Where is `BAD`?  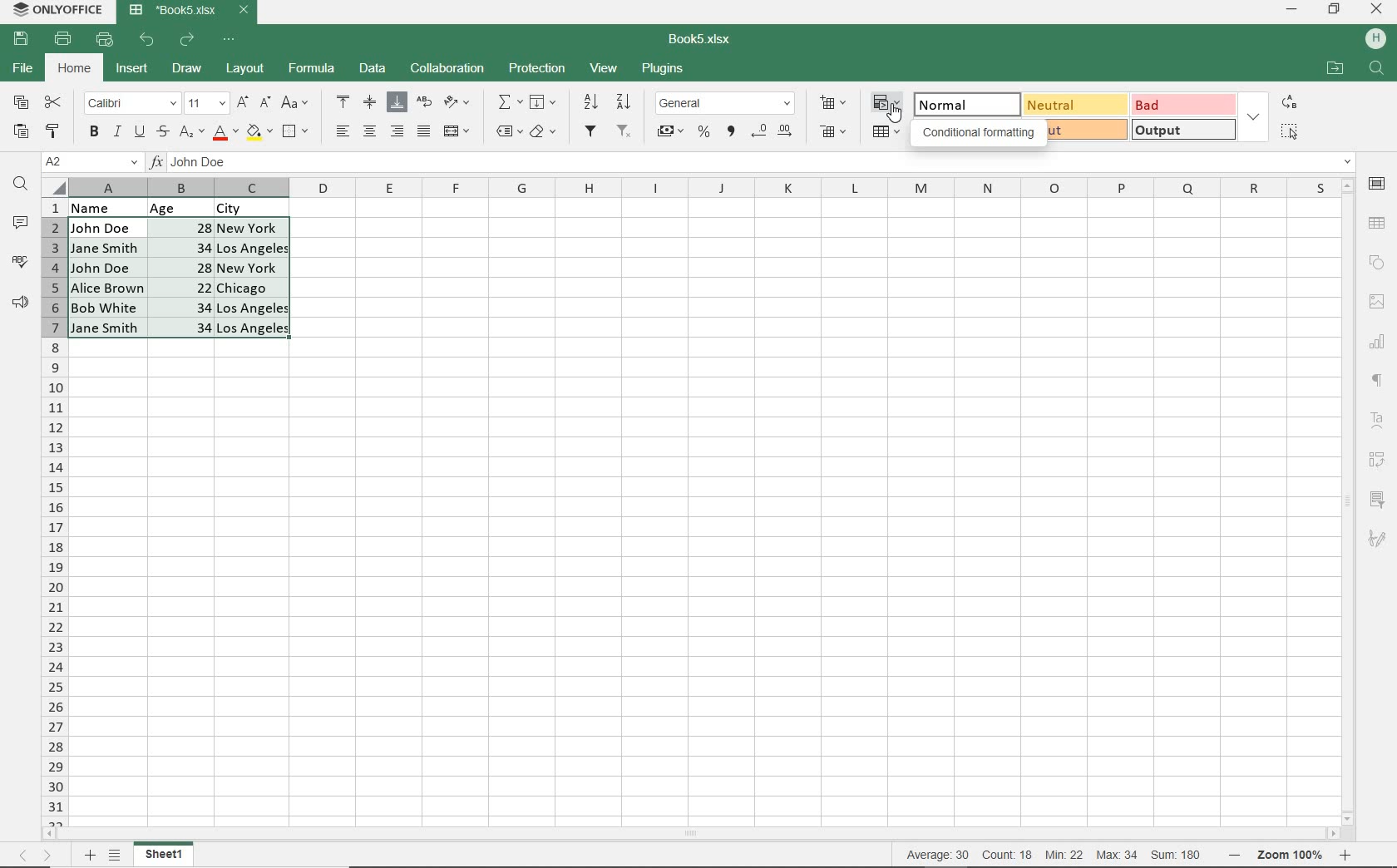
BAD is located at coordinates (1182, 104).